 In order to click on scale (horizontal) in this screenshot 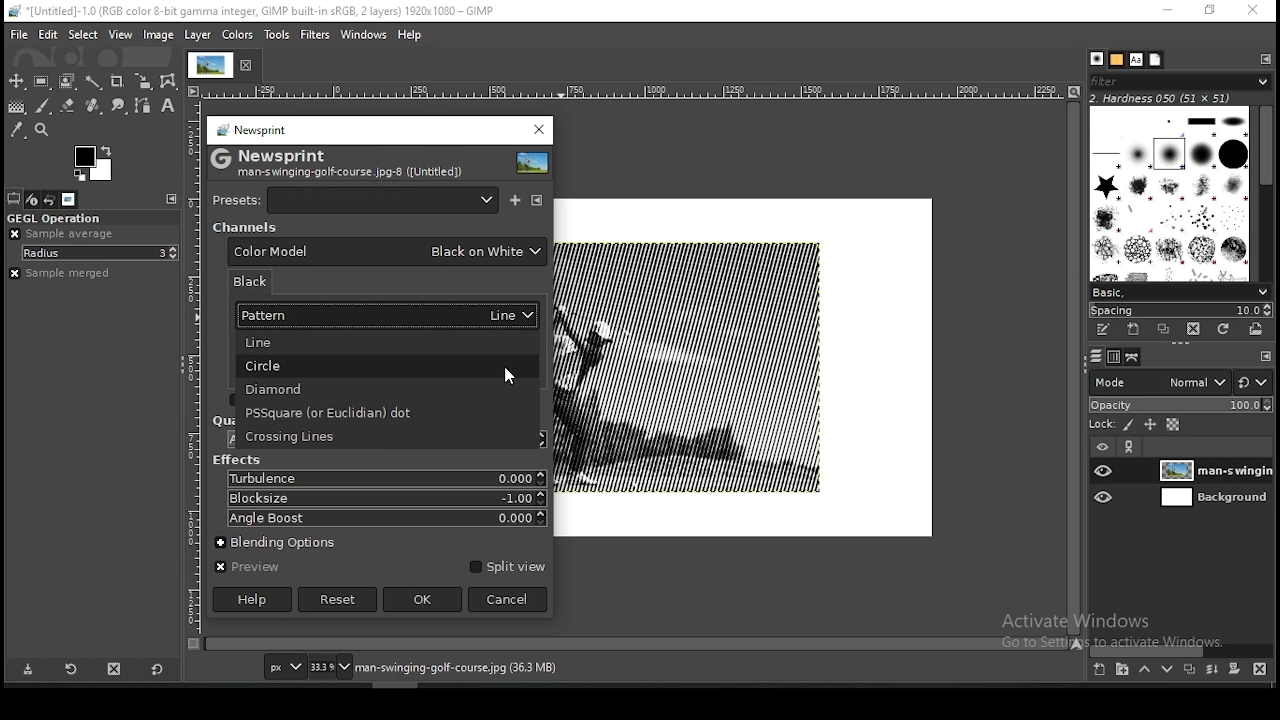, I will do `click(635, 92)`.